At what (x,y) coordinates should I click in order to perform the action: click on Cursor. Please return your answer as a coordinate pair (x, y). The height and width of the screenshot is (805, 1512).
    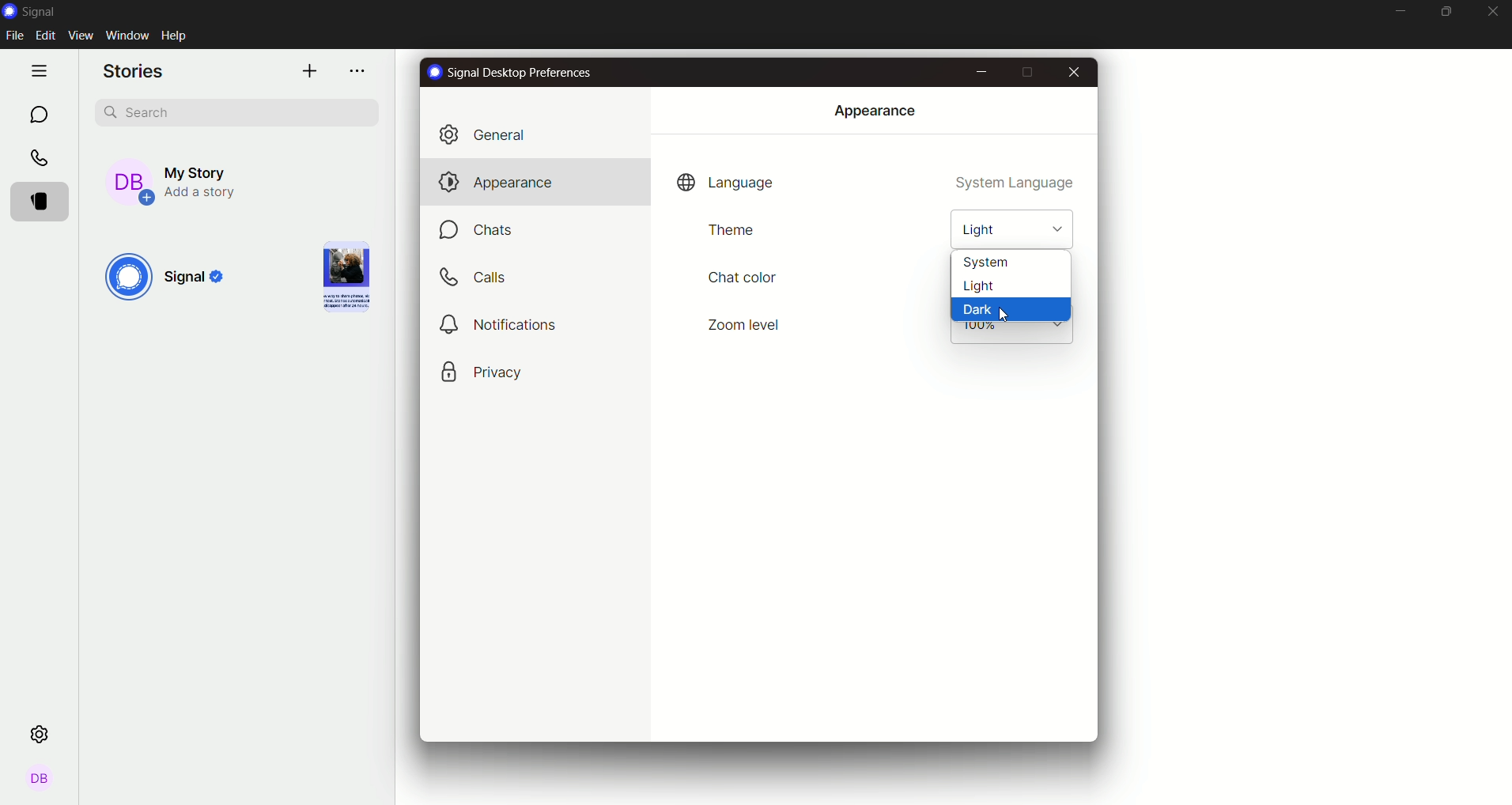
    Looking at the image, I should click on (1005, 317).